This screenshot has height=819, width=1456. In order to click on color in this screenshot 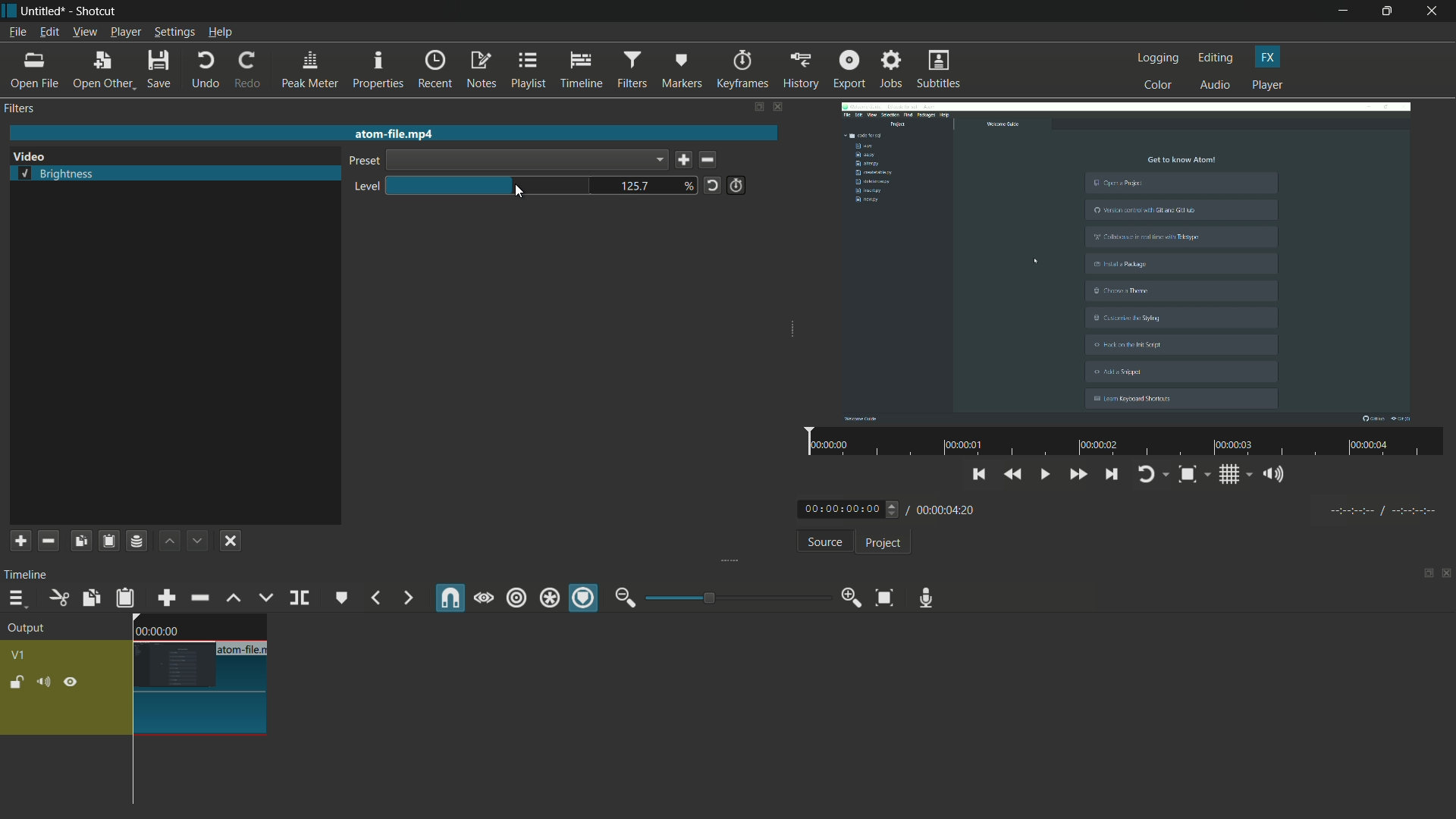, I will do `click(1159, 84)`.